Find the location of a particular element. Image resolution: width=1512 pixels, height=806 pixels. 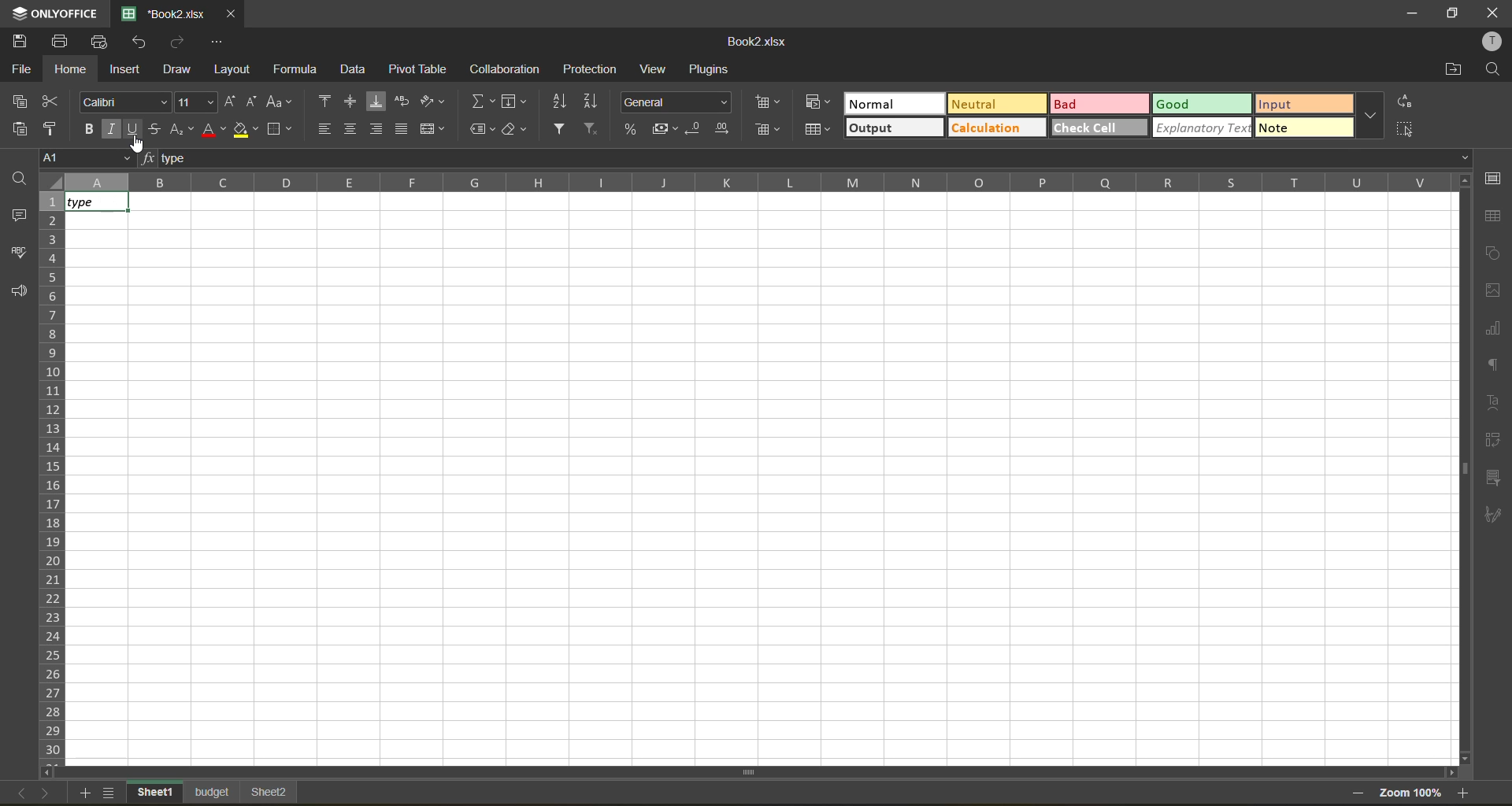

font color is located at coordinates (213, 131).